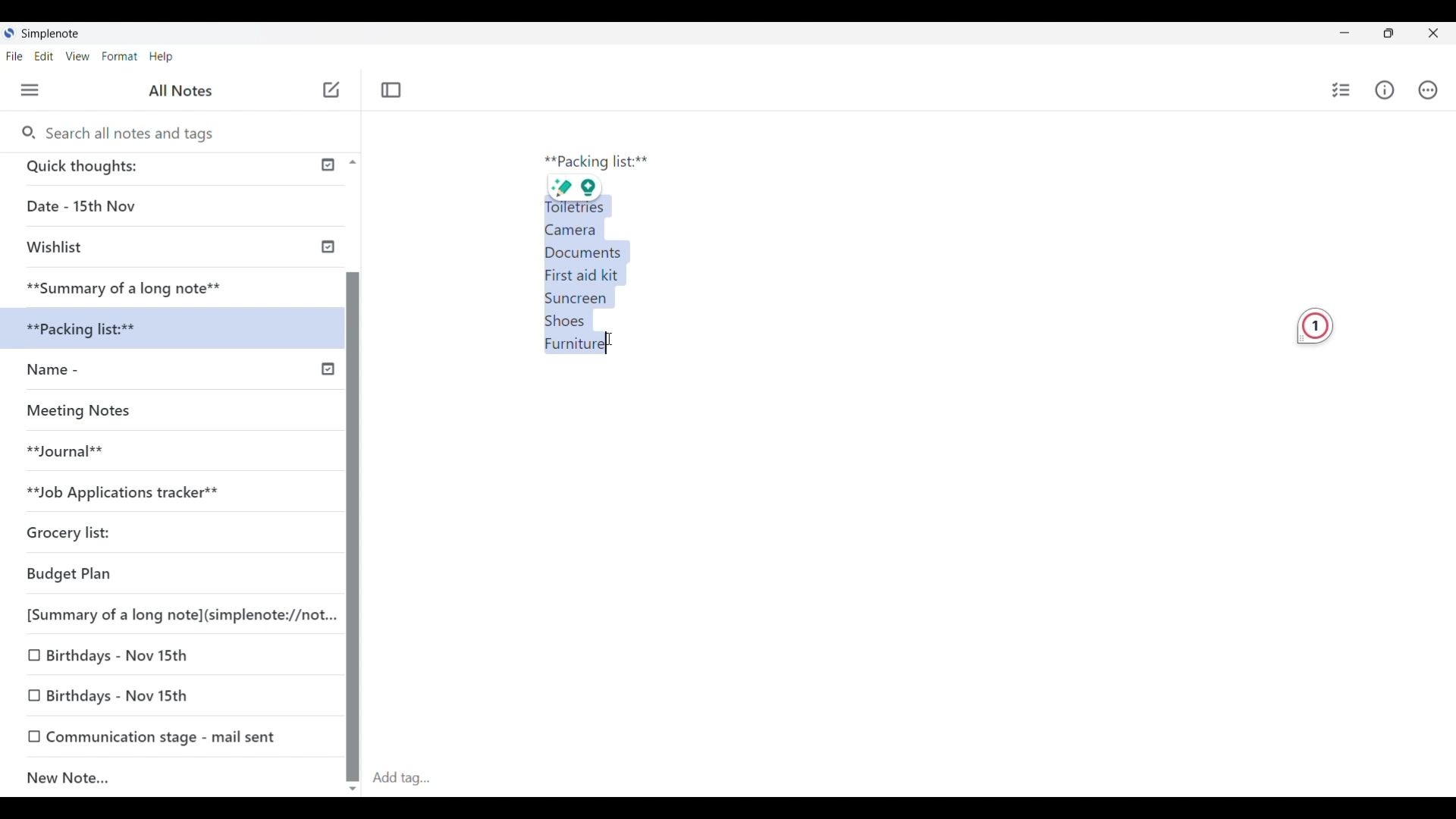  Describe the element at coordinates (1385, 90) in the screenshot. I see `Info` at that location.